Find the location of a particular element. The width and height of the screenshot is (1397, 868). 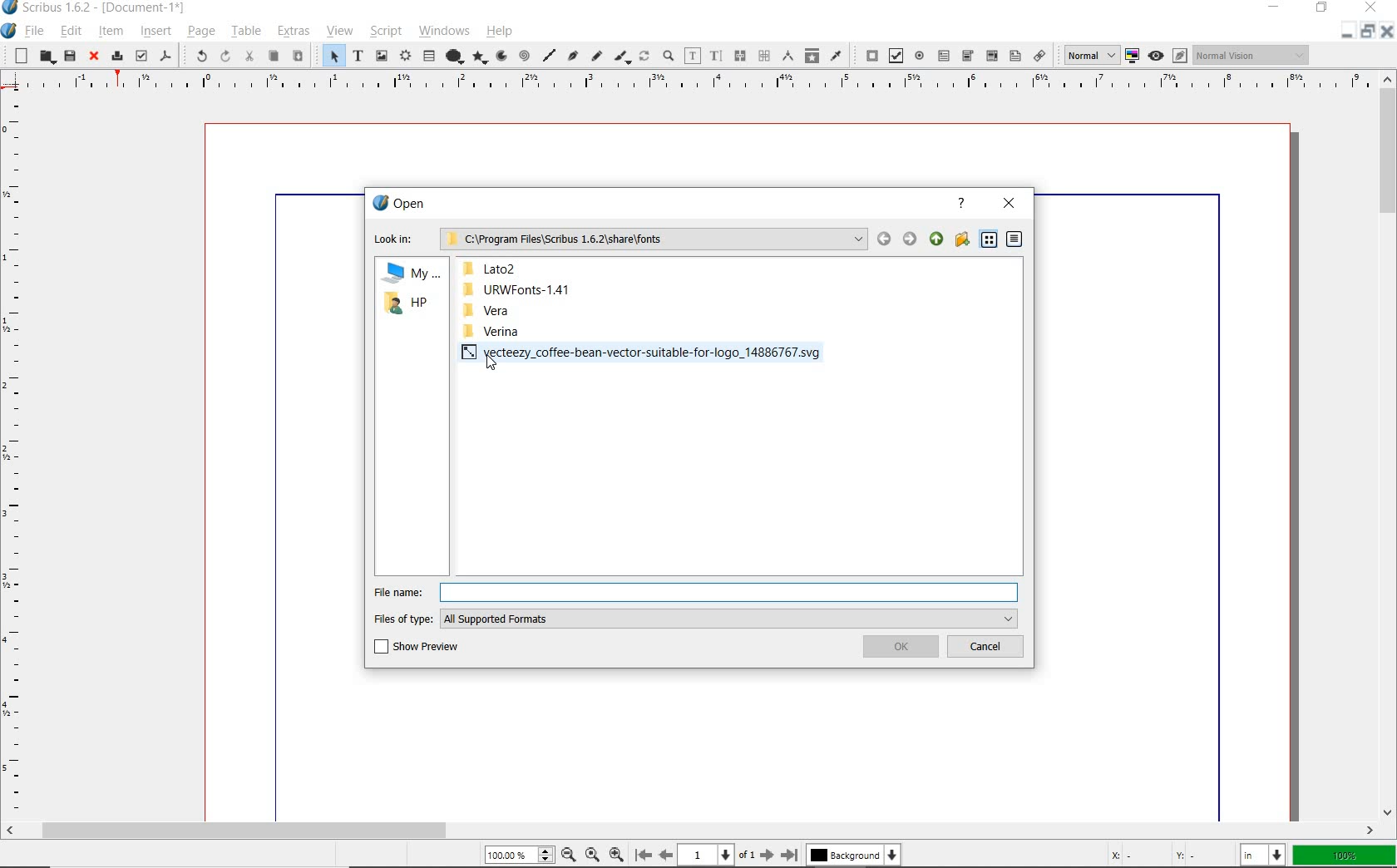

ok is located at coordinates (901, 646).